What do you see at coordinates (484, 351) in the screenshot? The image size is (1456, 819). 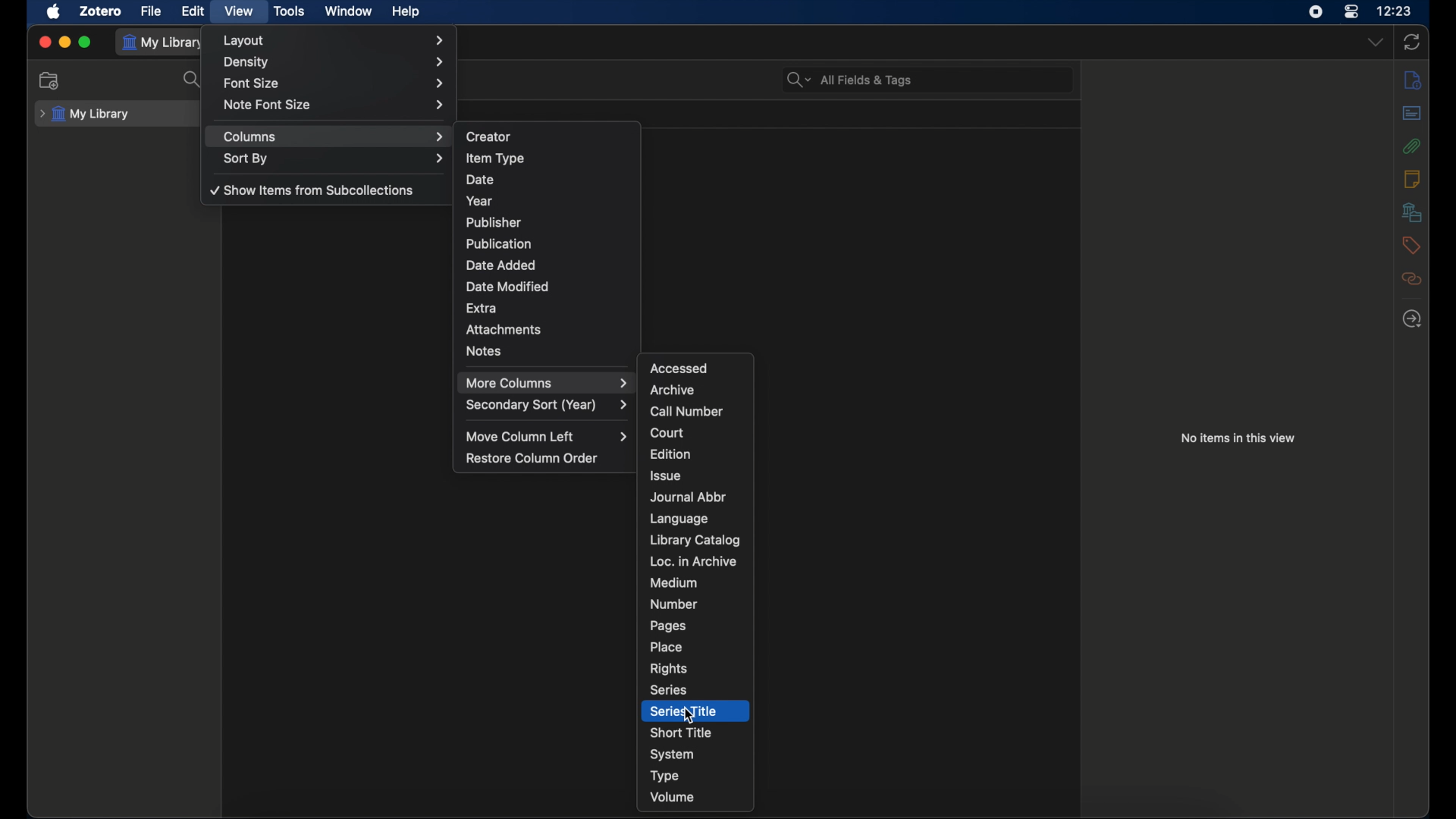 I see `notes` at bounding box center [484, 351].